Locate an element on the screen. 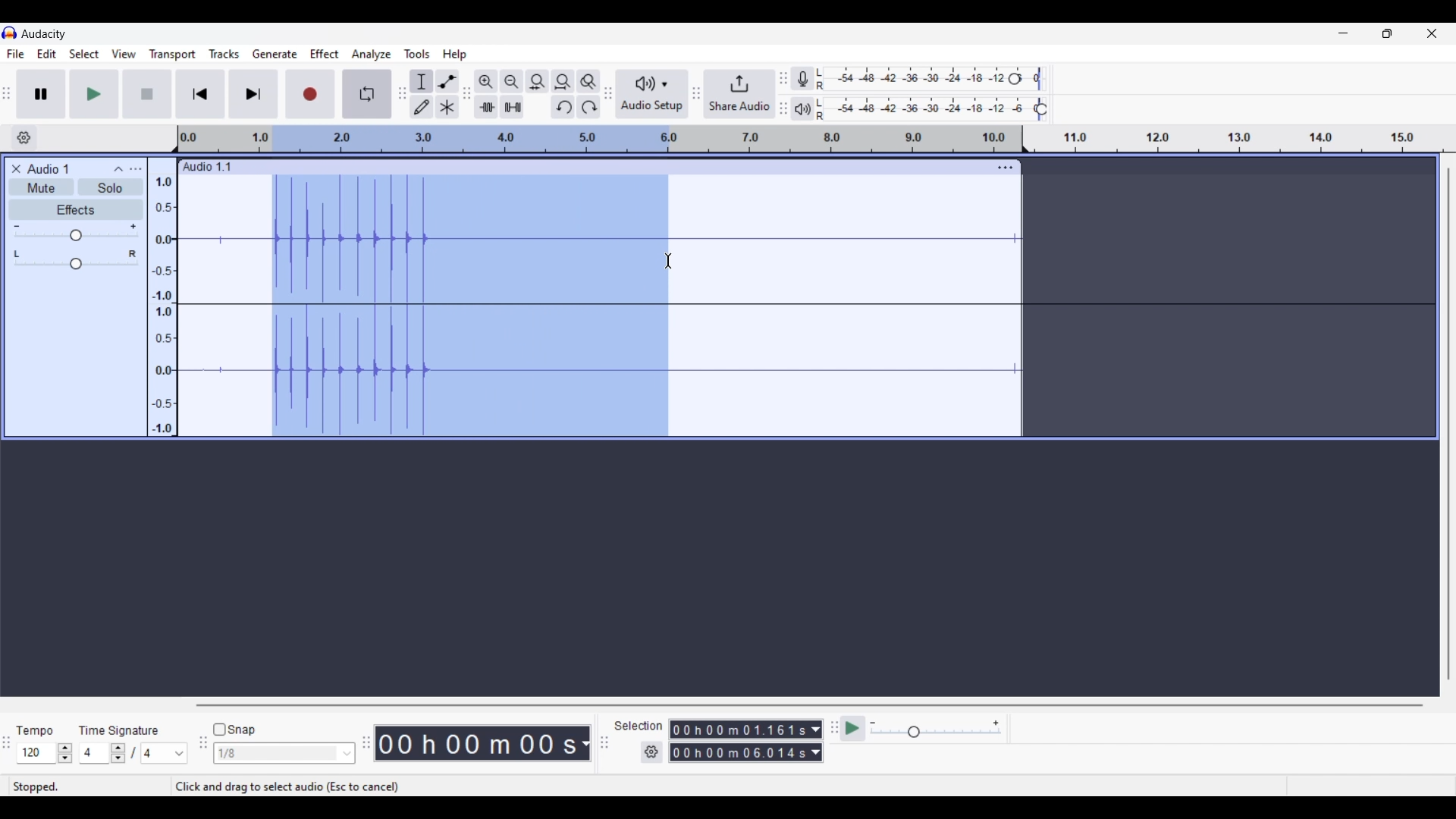 The width and height of the screenshot is (1456, 819). Multi-tool is located at coordinates (447, 106).